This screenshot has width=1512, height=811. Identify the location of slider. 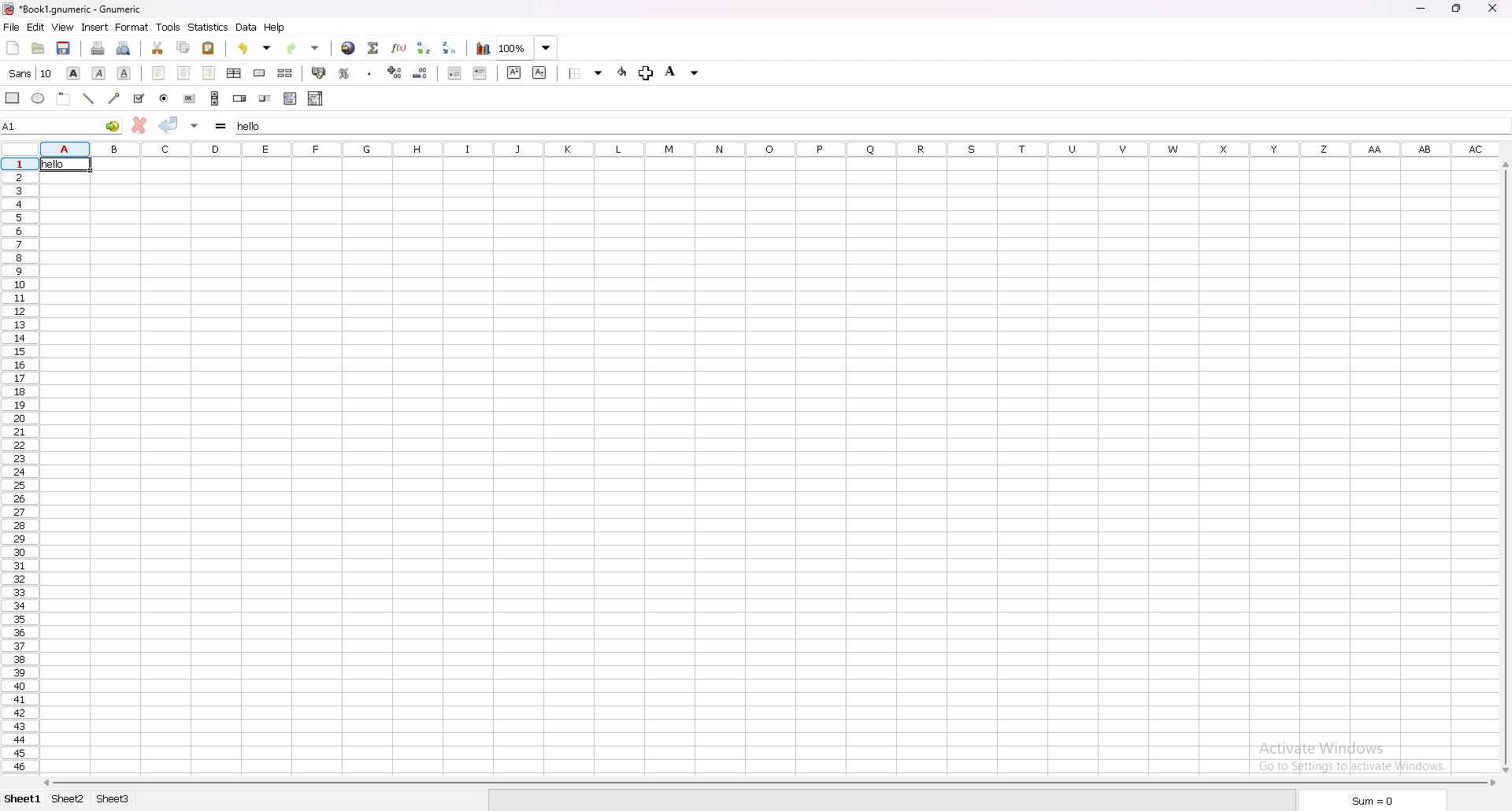
(266, 98).